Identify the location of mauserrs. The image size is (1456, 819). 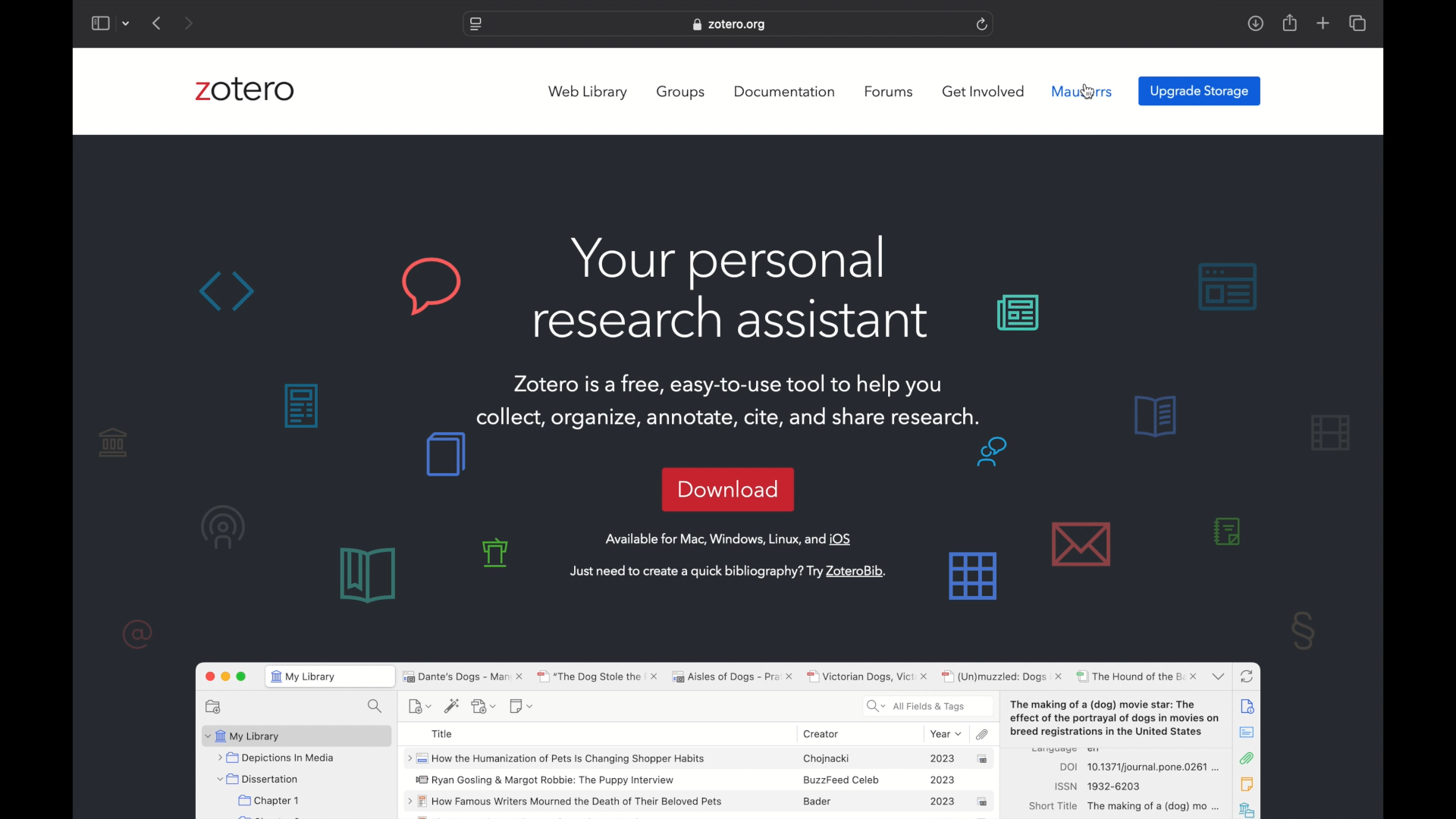
(1082, 92).